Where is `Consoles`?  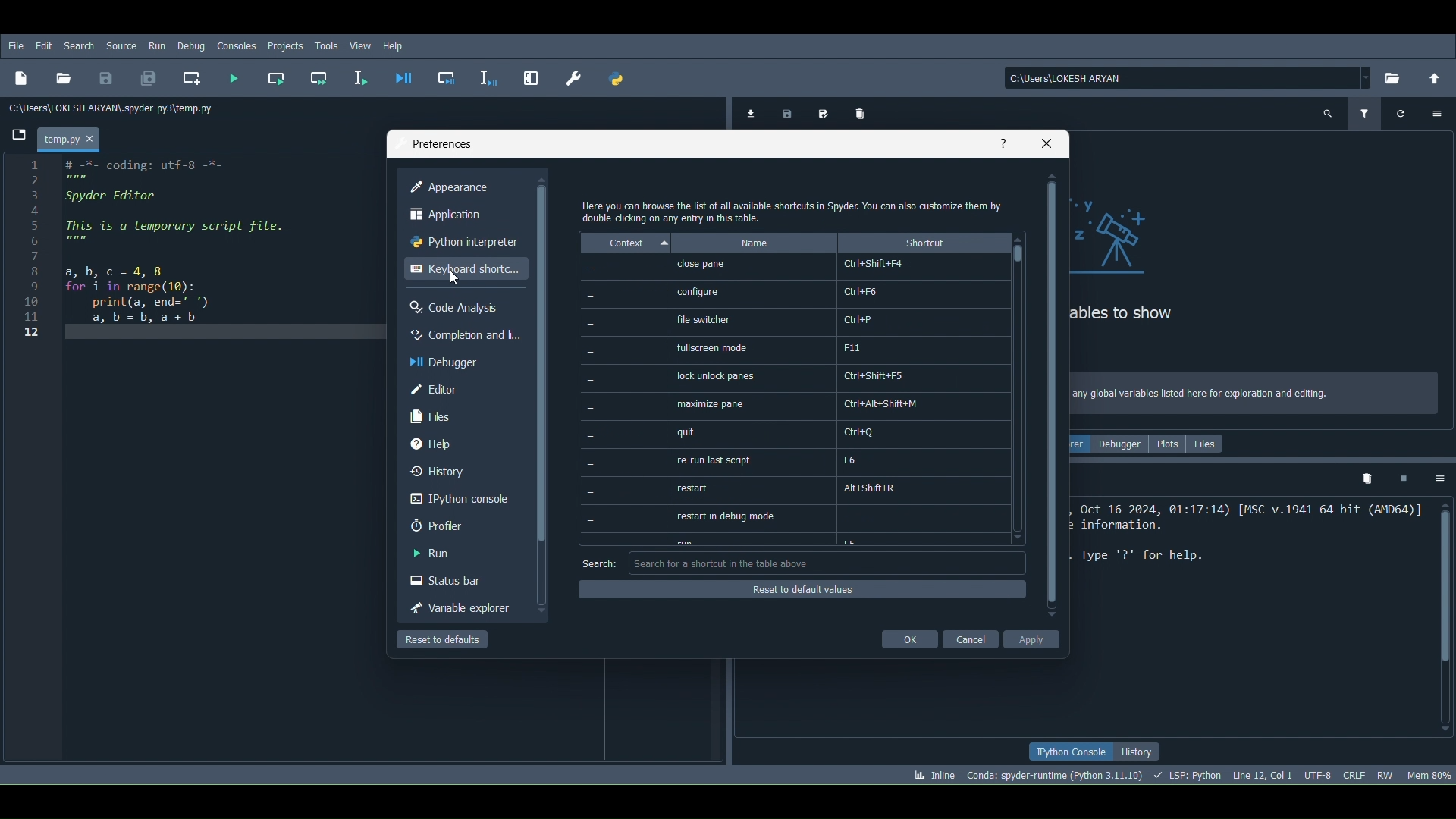
Consoles is located at coordinates (234, 46).